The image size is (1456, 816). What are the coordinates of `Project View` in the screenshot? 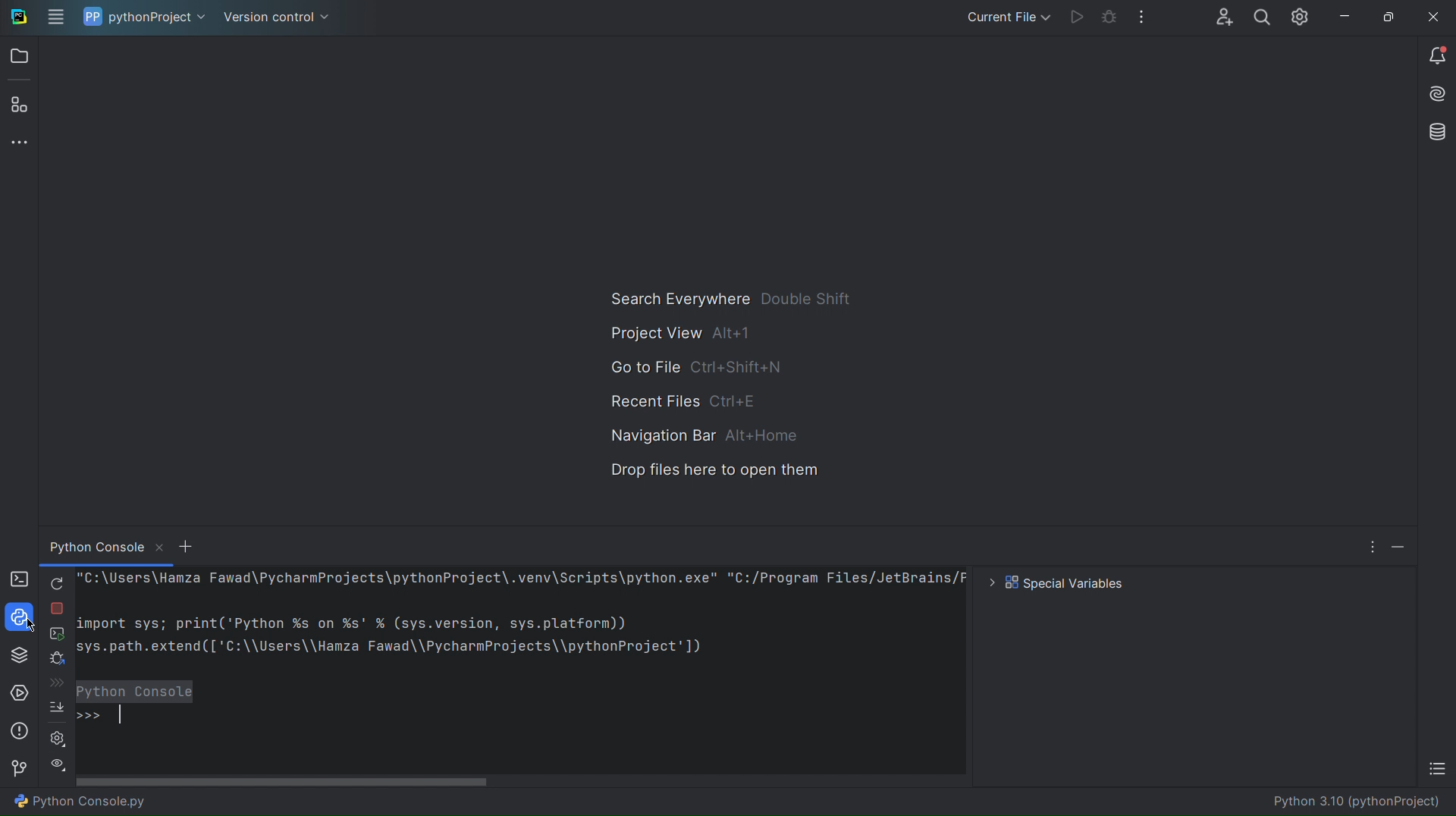 It's located at (679, 334).